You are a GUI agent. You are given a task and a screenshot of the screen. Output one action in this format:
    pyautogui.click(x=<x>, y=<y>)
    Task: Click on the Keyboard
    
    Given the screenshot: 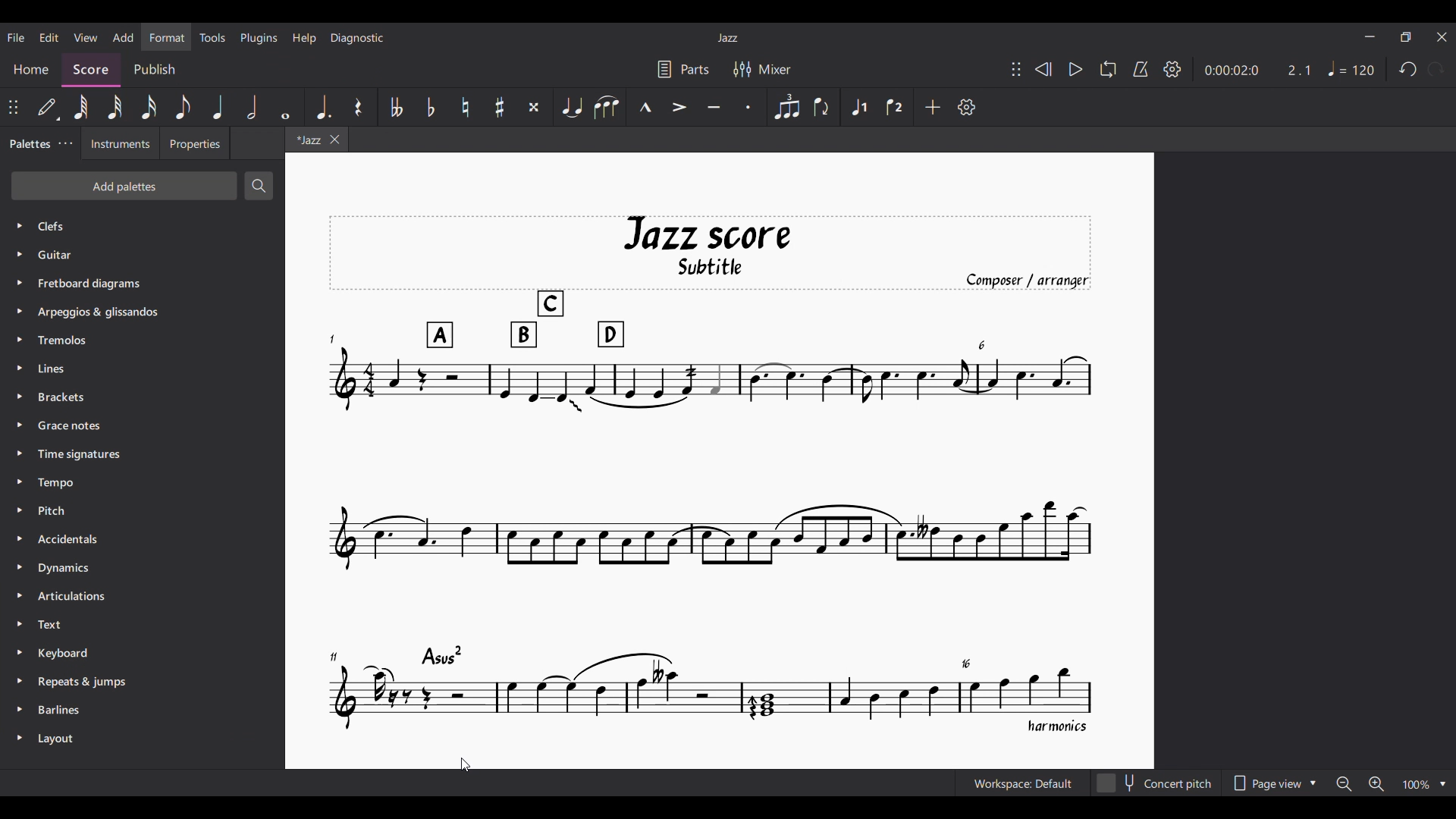 What is the action you would take?
    pyautogui.click(x=72, y=653)
    